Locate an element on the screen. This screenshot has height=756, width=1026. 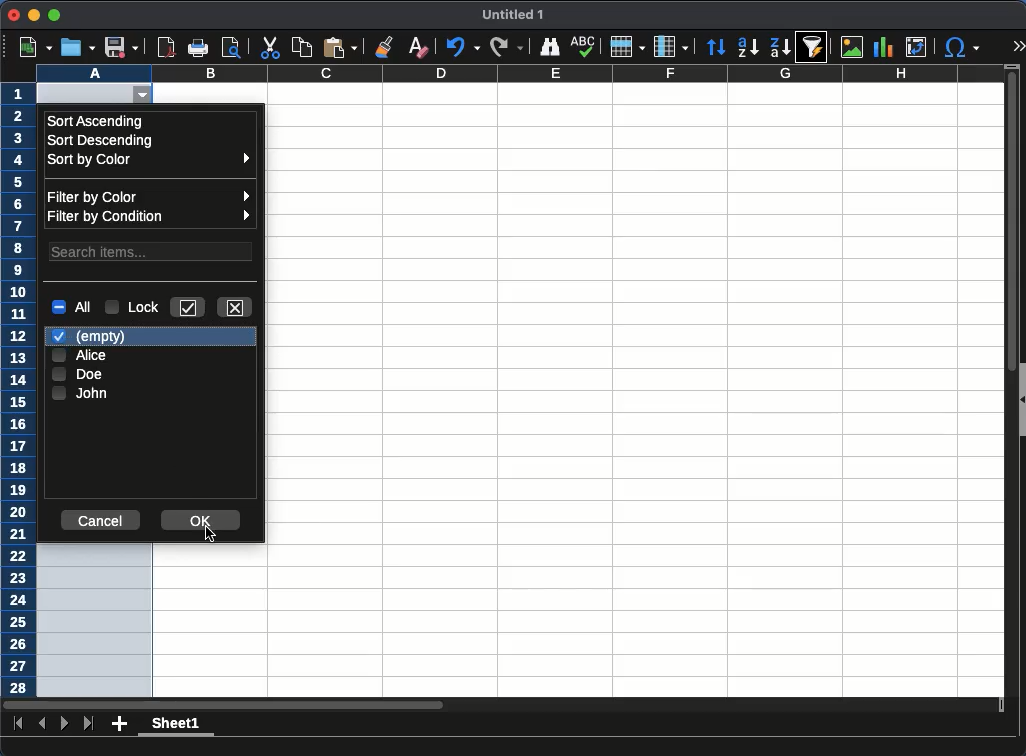
undo is located at coordinates (461, 48).